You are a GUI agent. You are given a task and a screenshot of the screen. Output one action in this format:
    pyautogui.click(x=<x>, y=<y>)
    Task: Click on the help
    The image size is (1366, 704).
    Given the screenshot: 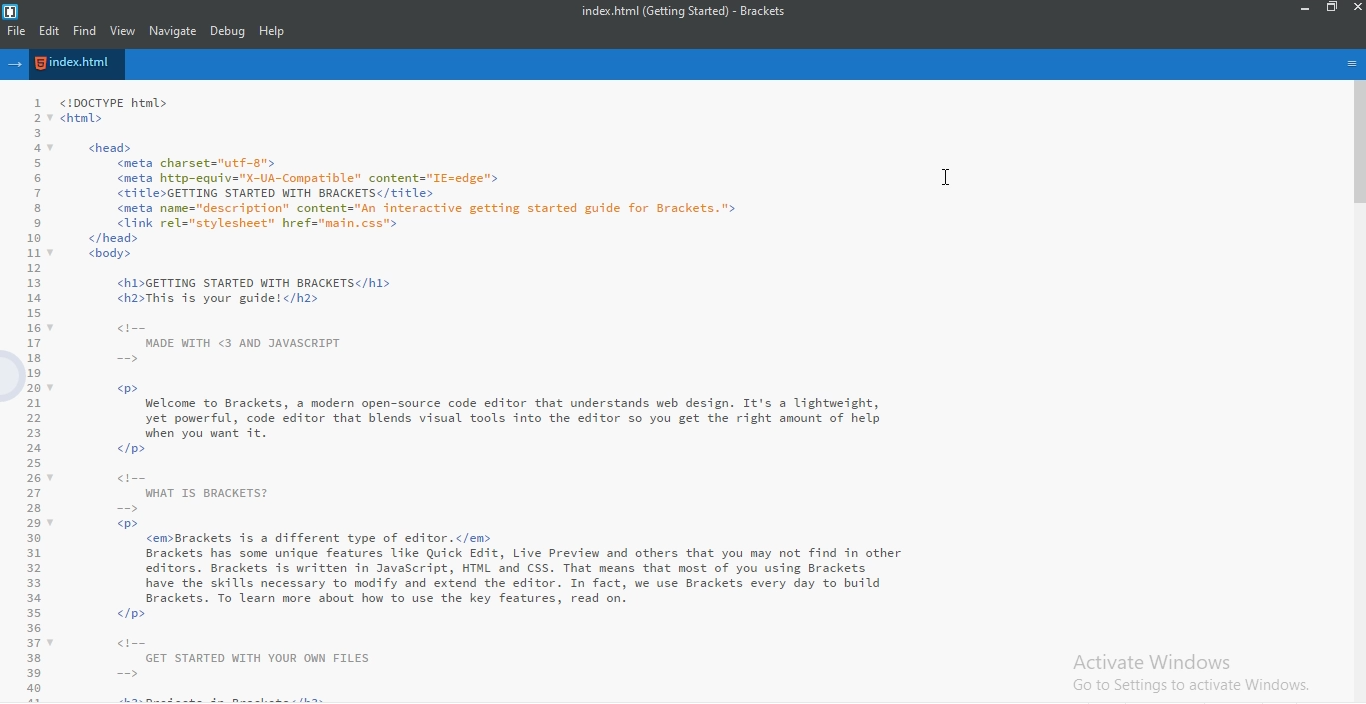 What is the action you would take?
    pyautogui.click(x=273, y=32)
    